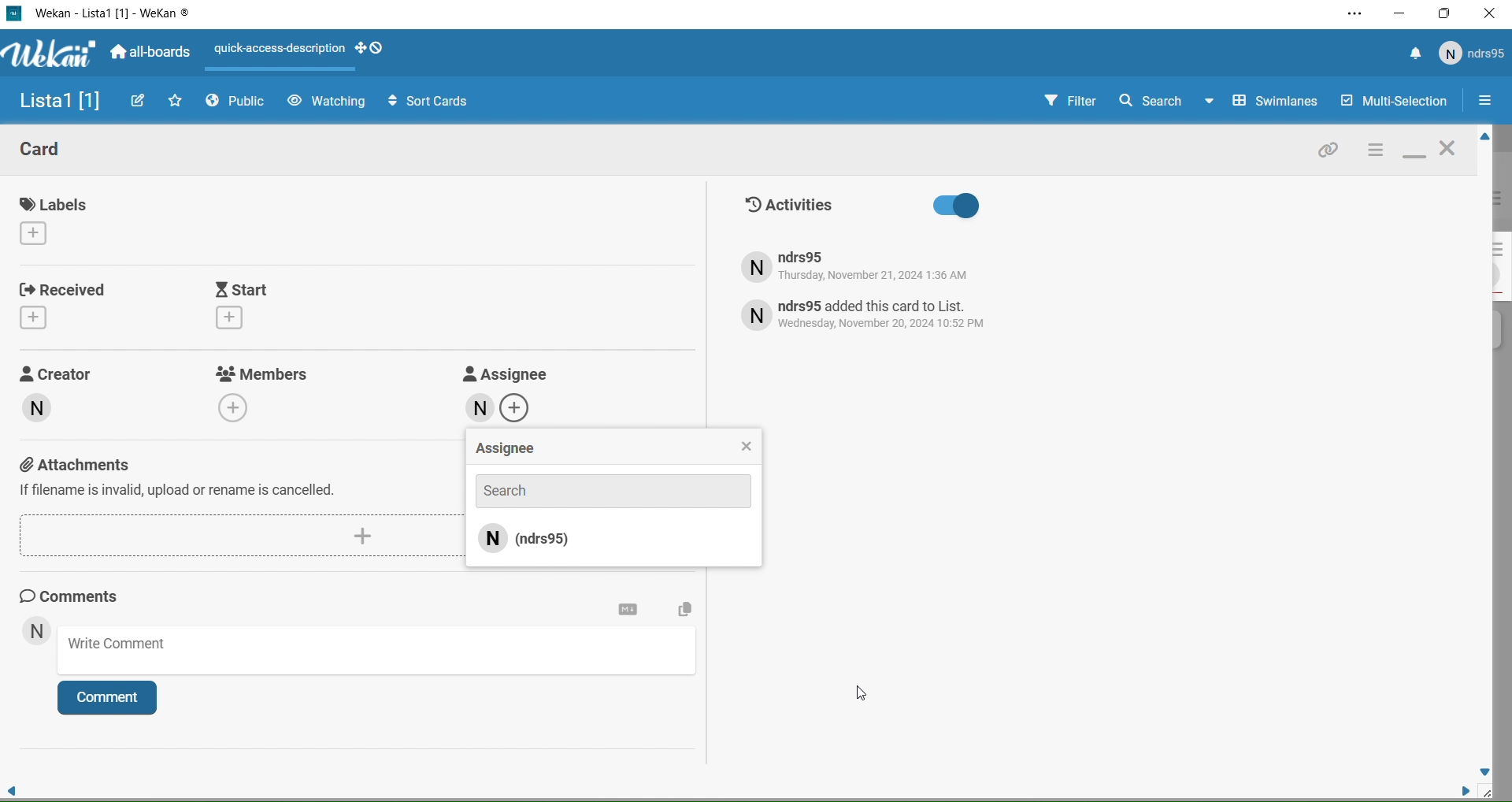 This screenshot has width=1512, height=802. What do you see at coordinates (139, 100) in the screenshot?
I see `Edit` at bounding box center [139, 100].